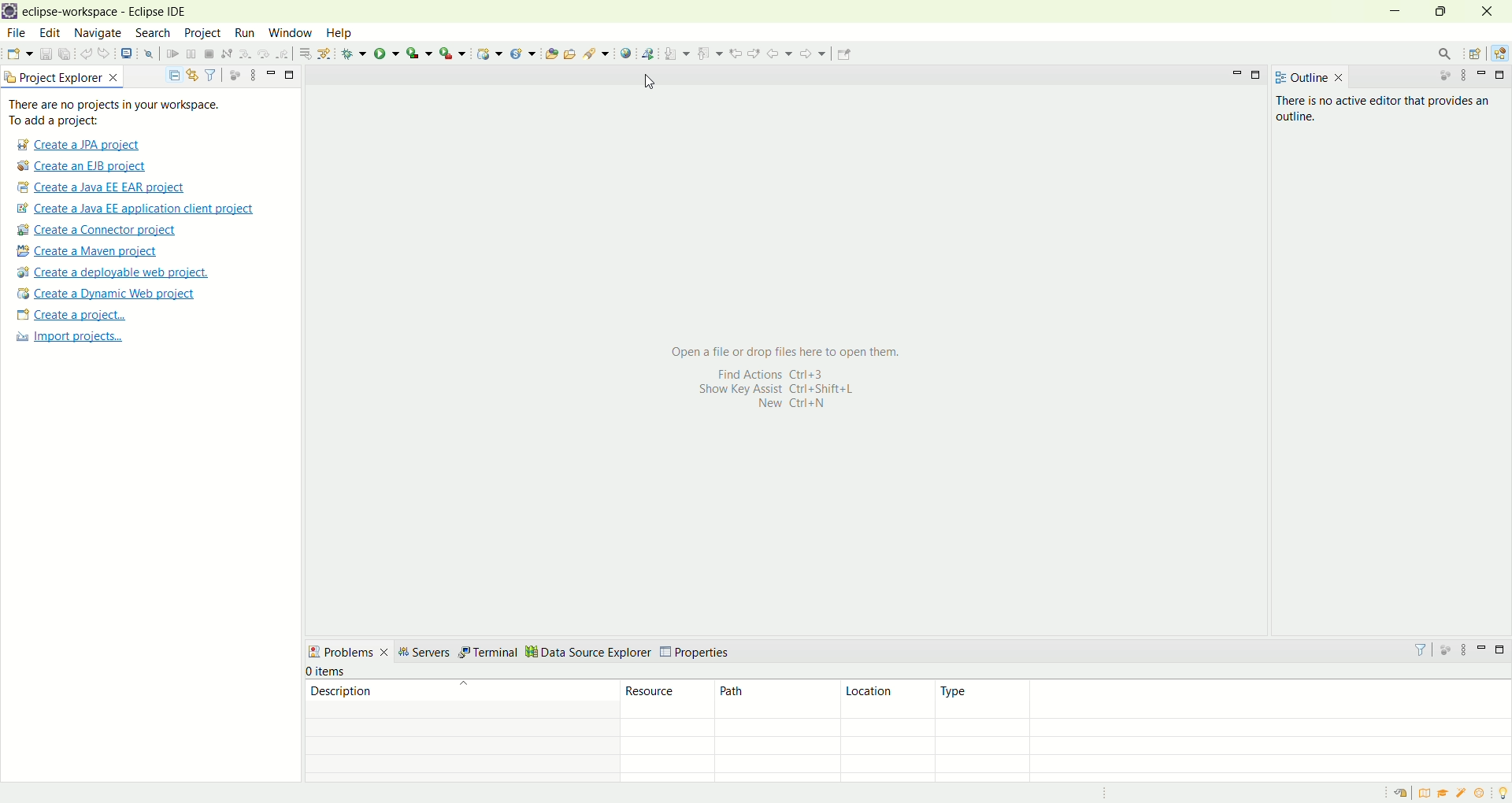 Image resolution: width=1512 pixels, height=803 pixels. I want to click on maximize, so click(1445, 11).